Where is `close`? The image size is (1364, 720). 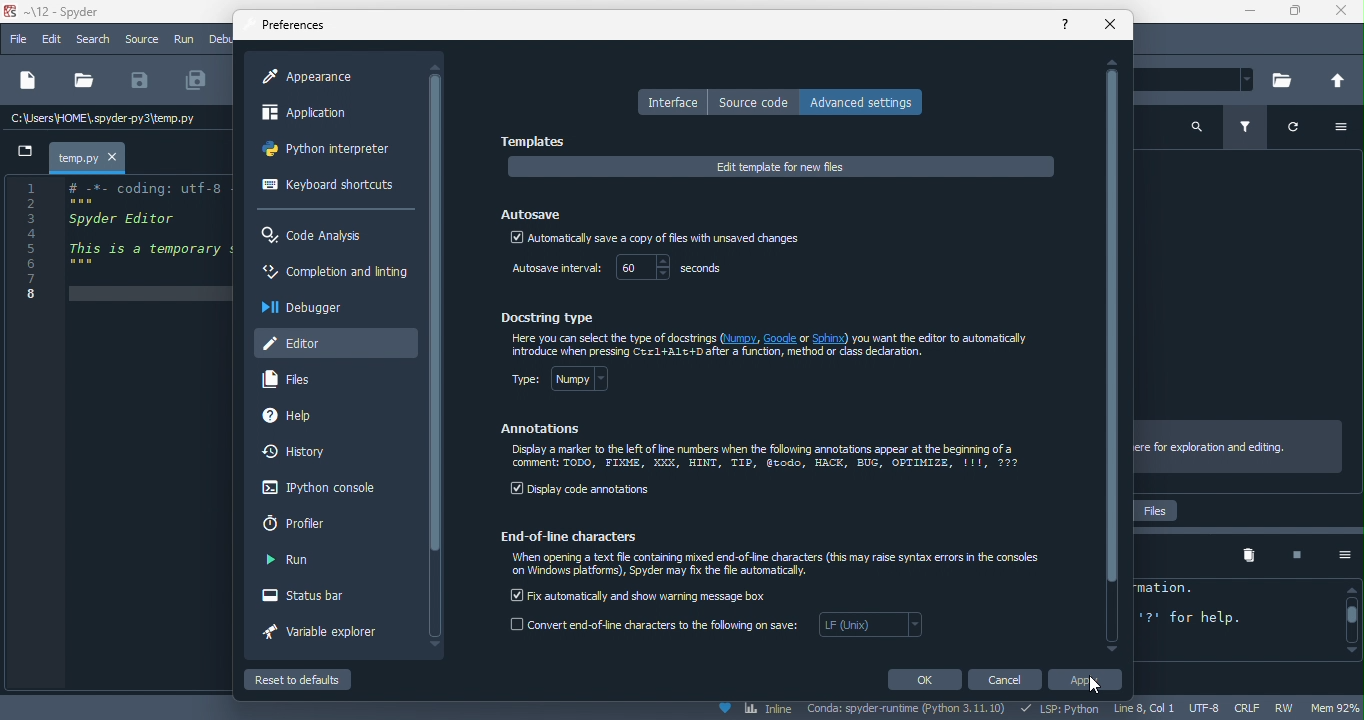
close is located at coordinates (1341, 14).